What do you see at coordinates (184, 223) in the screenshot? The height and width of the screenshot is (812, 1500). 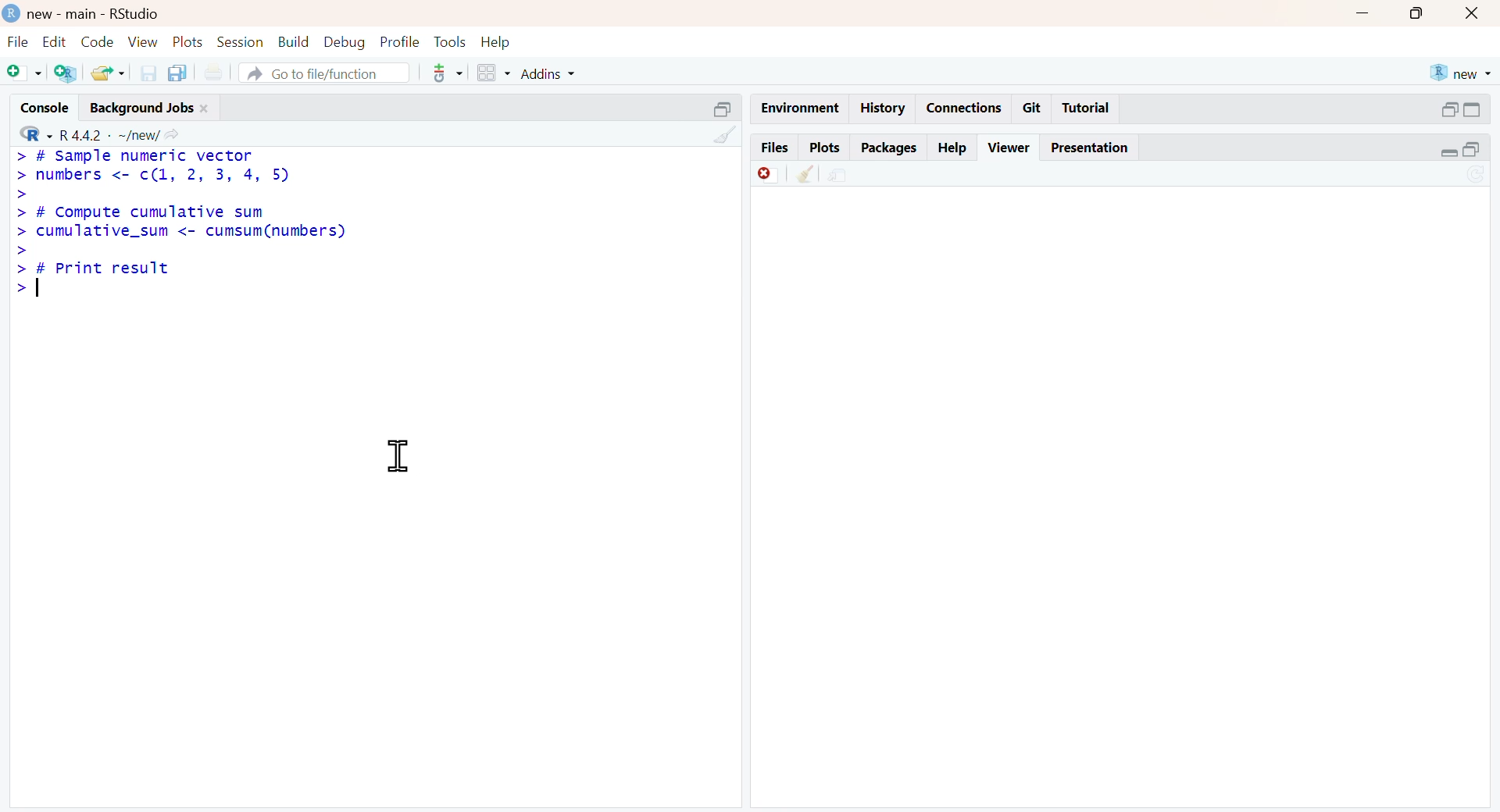 I see `> # Sample numeric vector> numbers <- c(1, 2, 3, 4, 5)>> # Compute cumulative sum> cumulative_sum <- cumsum(numbers)>> # Print result>` at bounding box center [184, 223].